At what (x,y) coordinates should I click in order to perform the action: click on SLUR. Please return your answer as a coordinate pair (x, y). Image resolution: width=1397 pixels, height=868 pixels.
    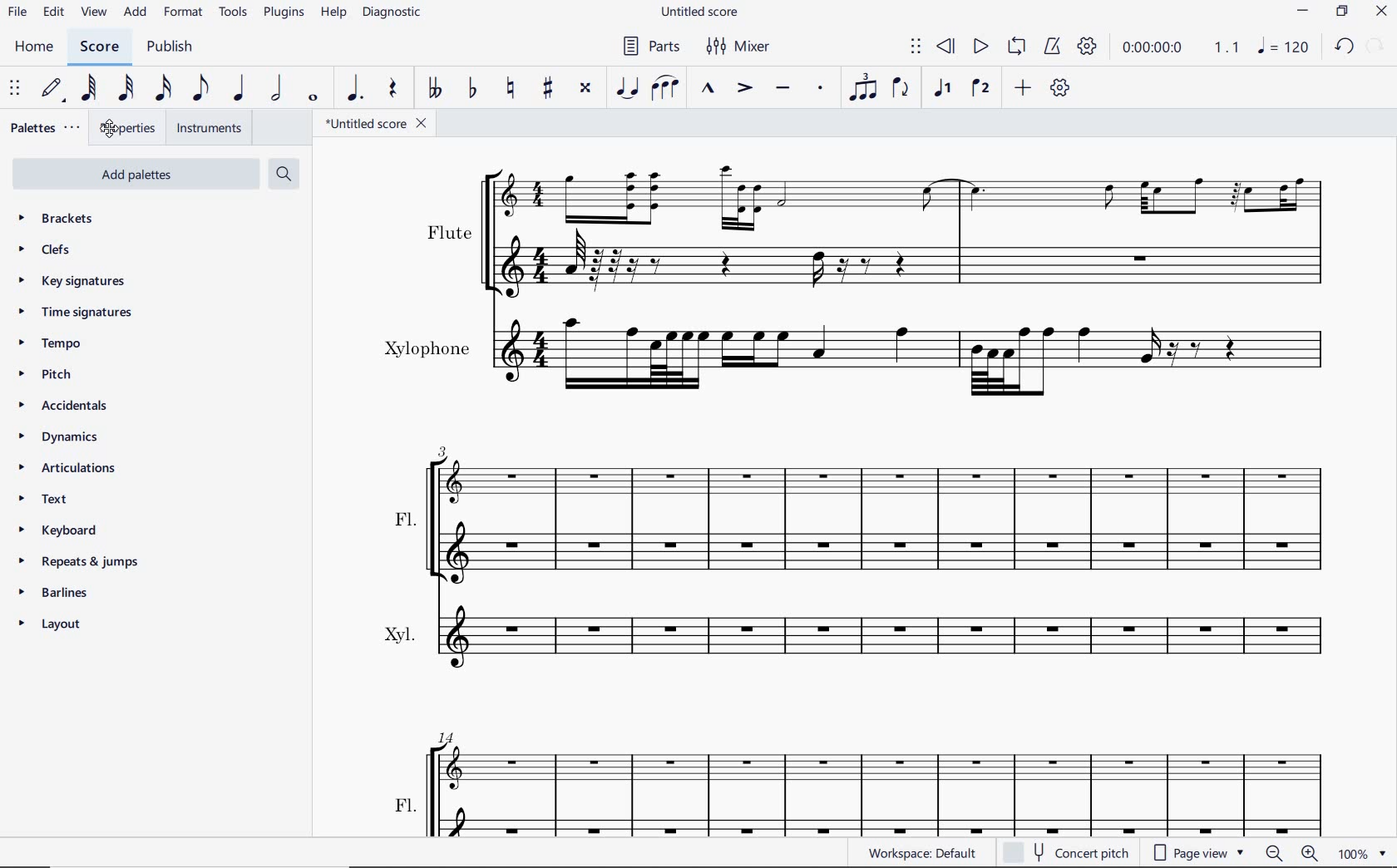
    Looking at the image, I should click on (664, 86).